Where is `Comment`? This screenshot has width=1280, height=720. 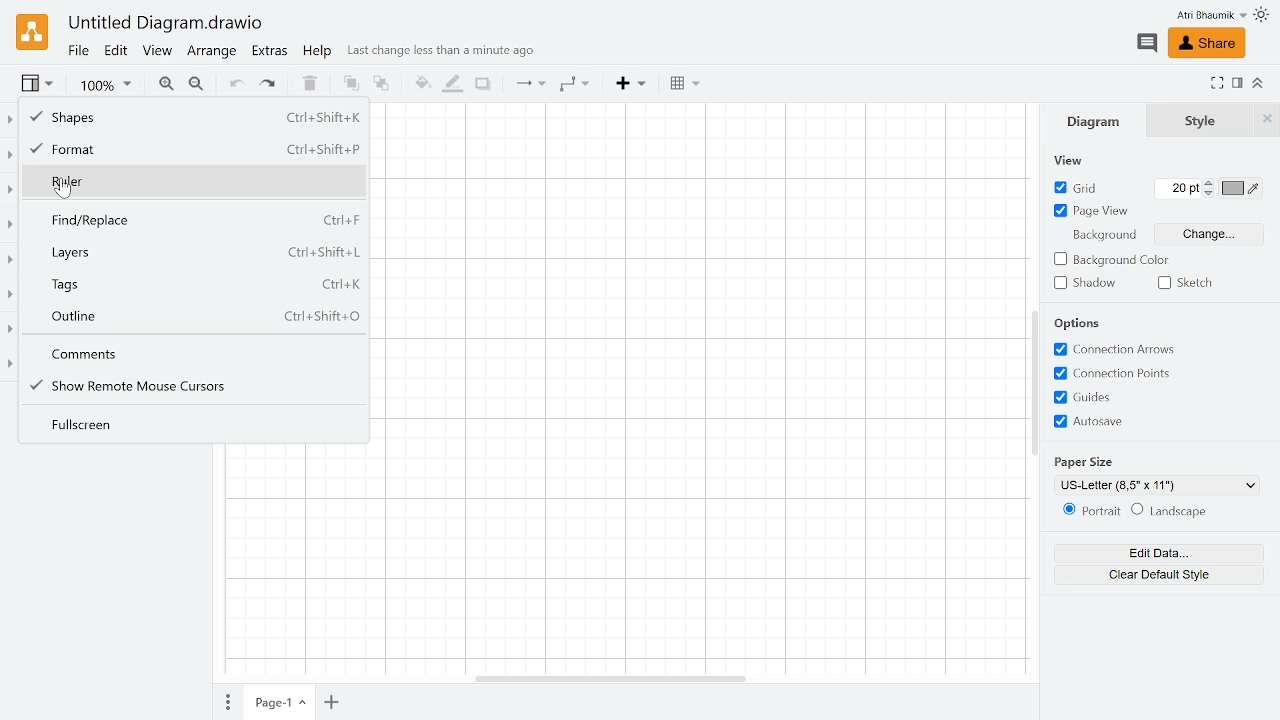 Comment is located at coordinates (1148, 44).